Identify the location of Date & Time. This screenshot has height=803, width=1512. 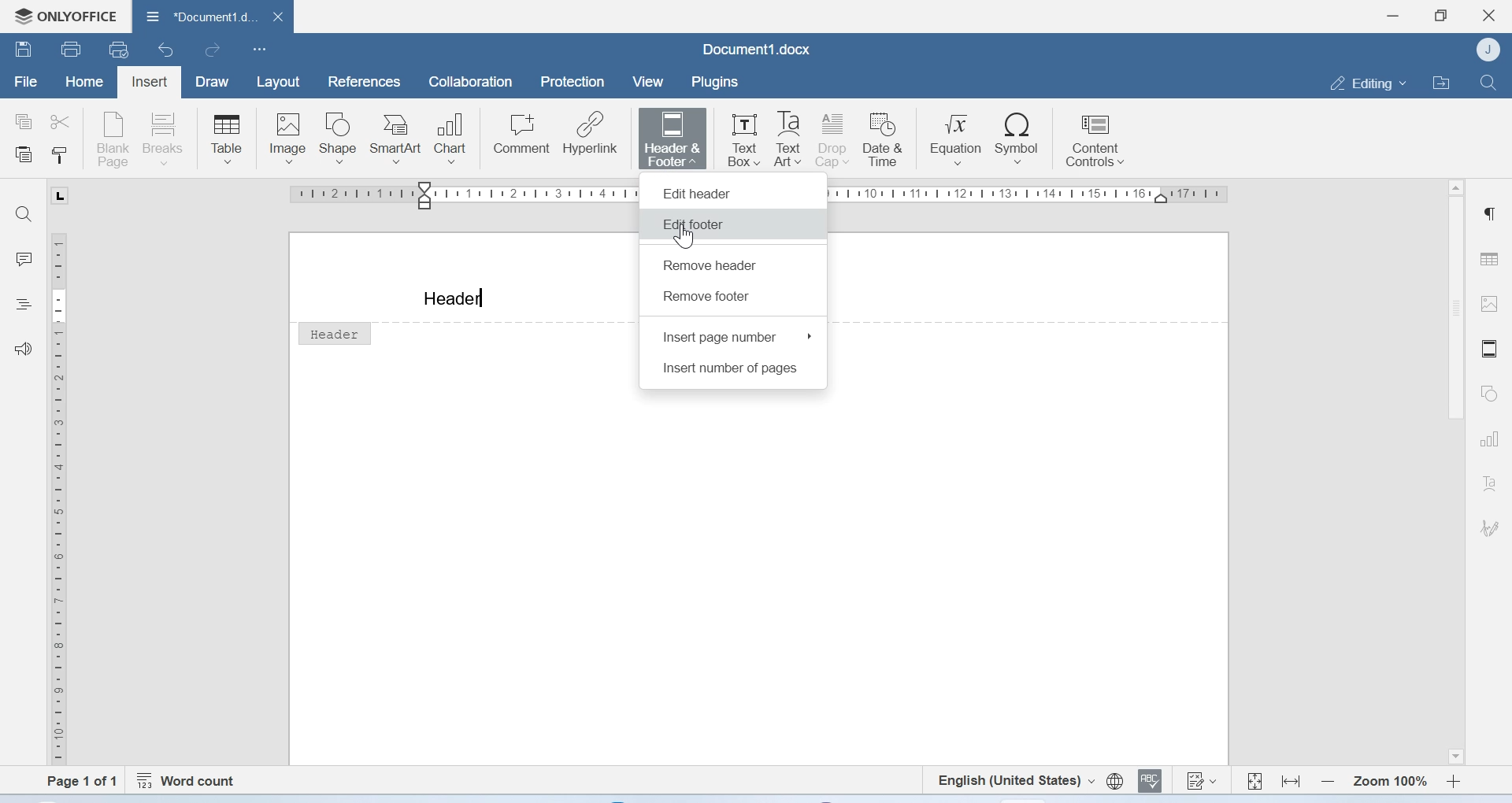
(887, 139).